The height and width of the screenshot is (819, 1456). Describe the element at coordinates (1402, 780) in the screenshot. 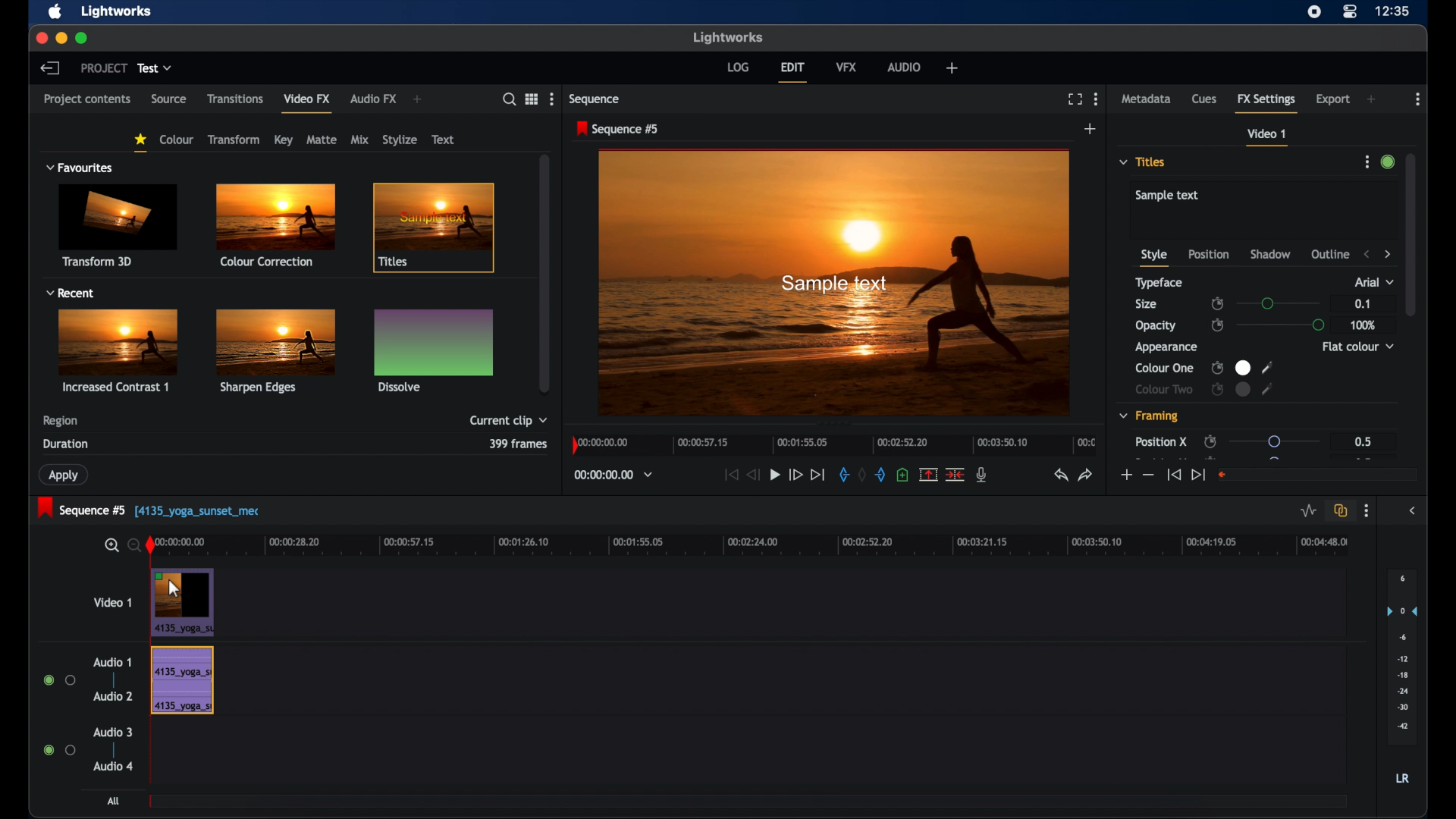

I see `lr` at that location.